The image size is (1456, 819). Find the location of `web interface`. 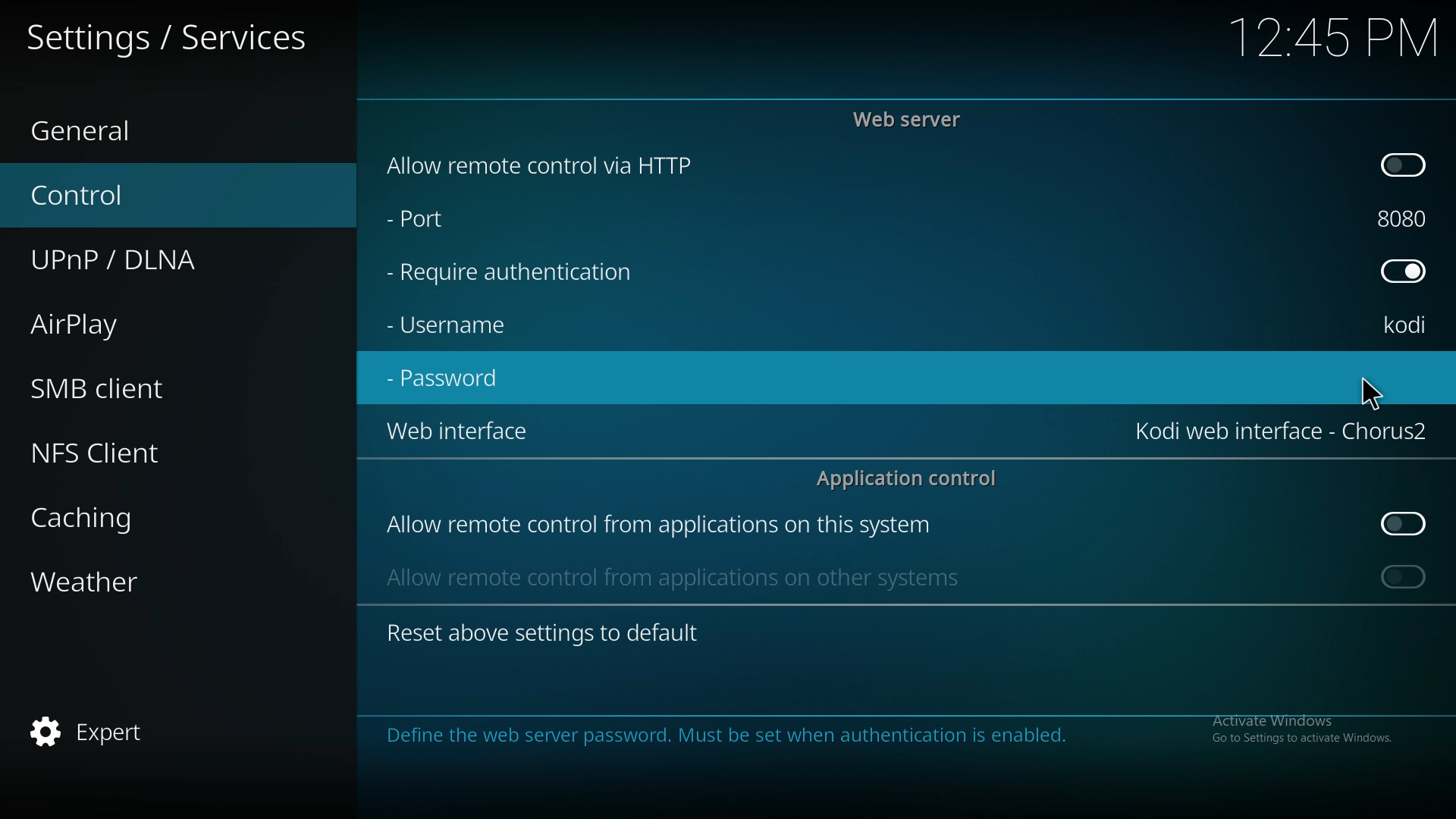

web interface is located at coordinates (1282, 428).